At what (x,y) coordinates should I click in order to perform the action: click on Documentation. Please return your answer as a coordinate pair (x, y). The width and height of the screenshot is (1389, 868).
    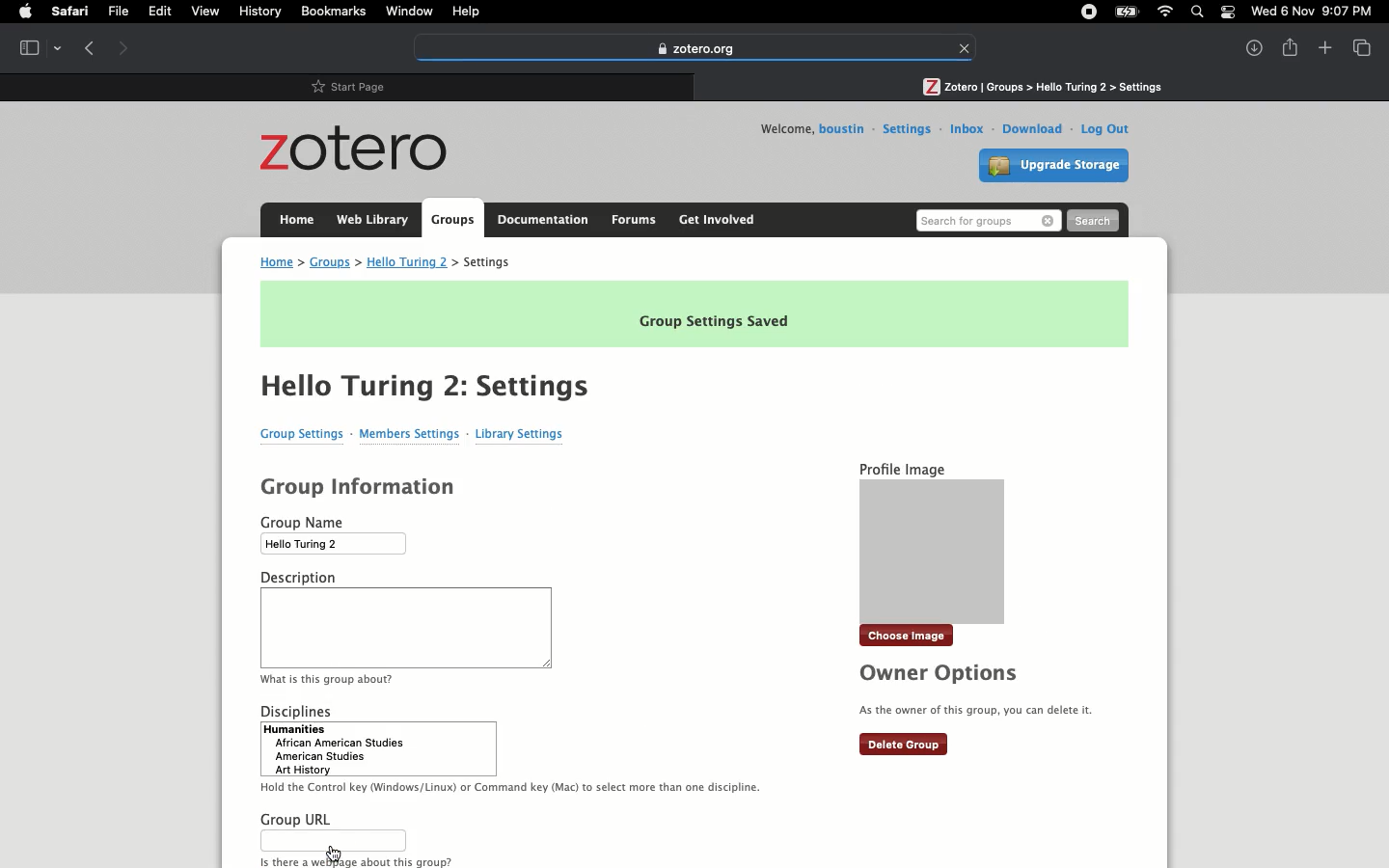
    Looking at the image, I should click on (543, 220).